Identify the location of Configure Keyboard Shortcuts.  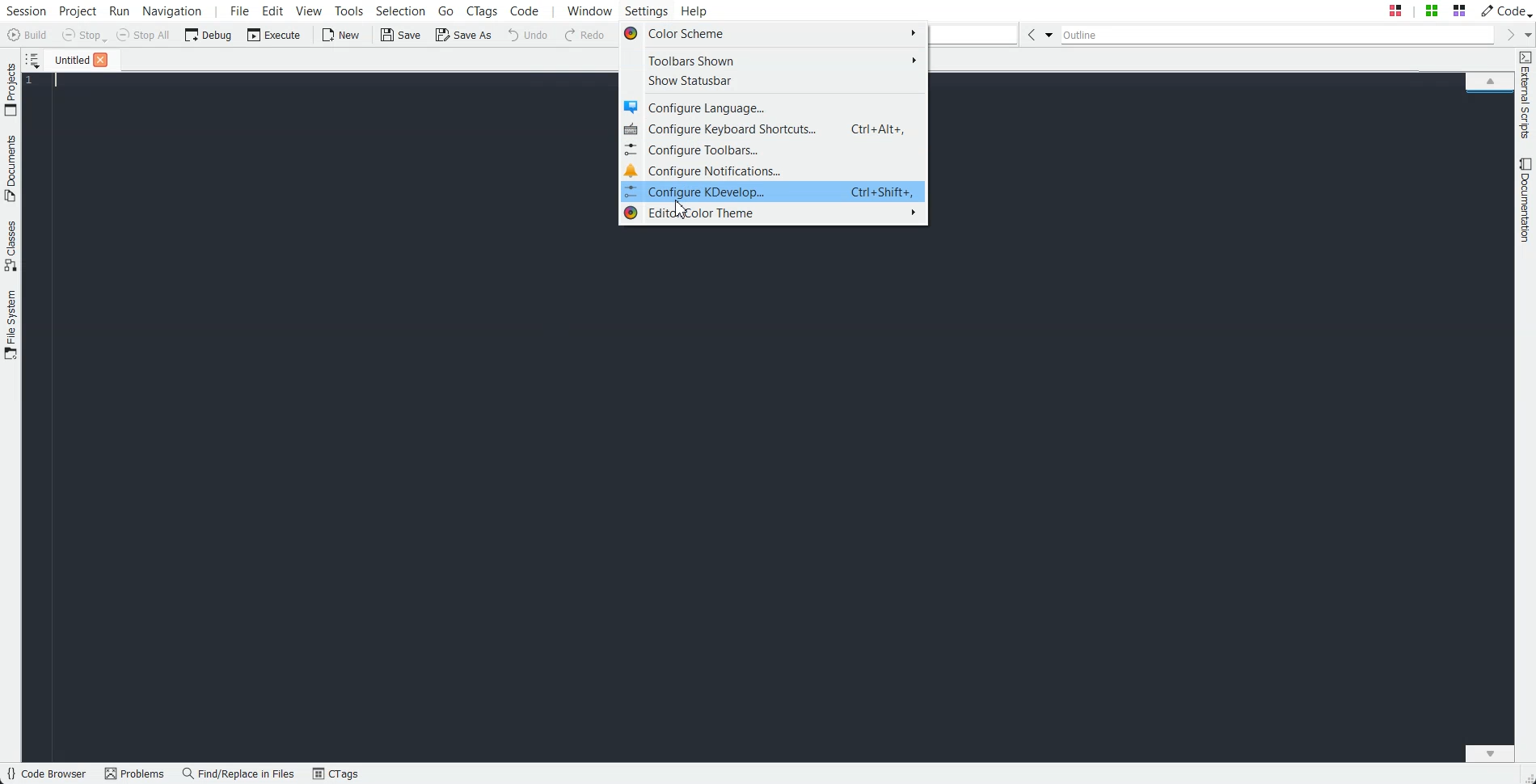
(773, 129).